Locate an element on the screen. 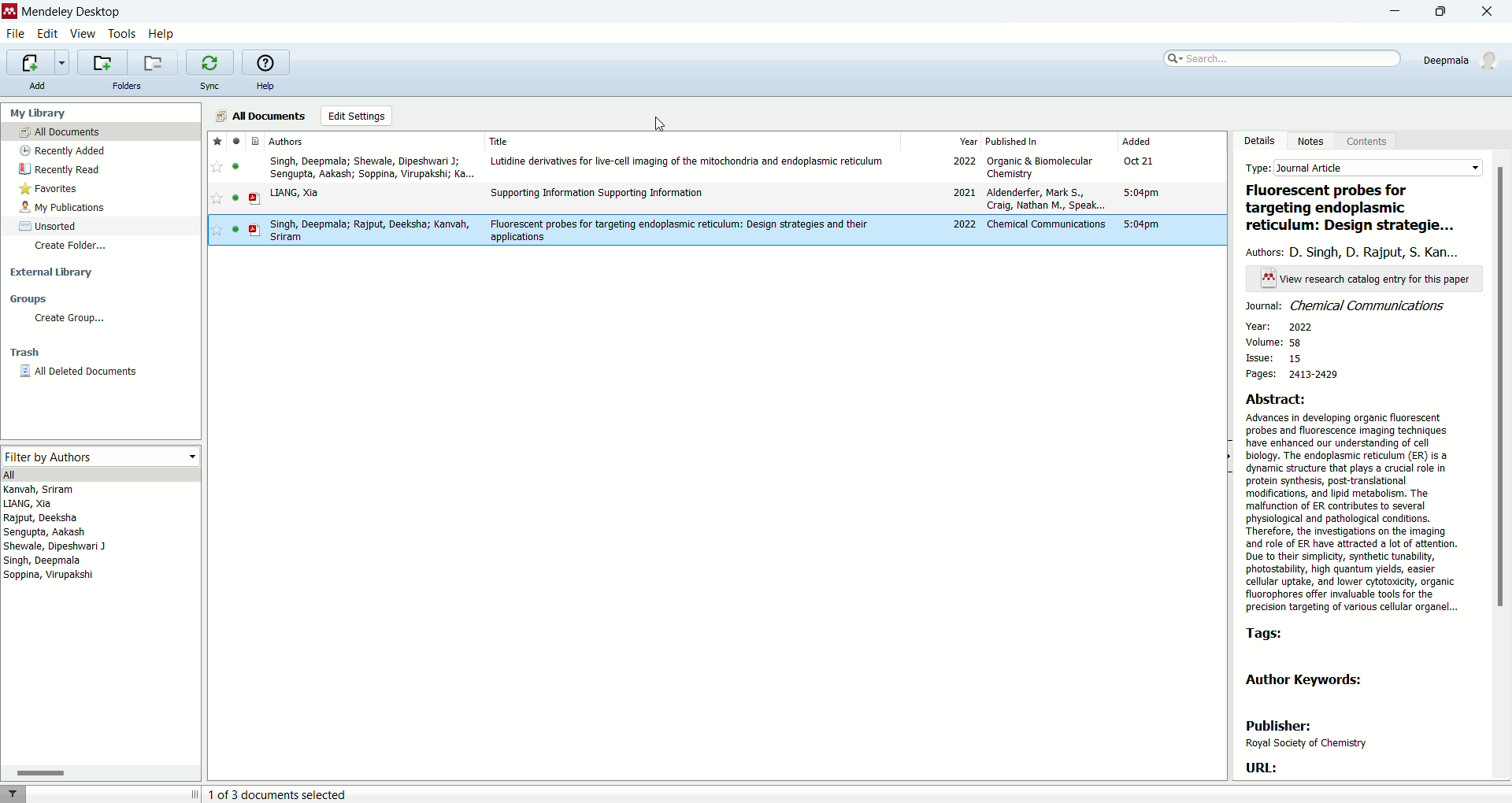 This screenshot has height=803, width=1512. read/unread is located at coordinates (232, 230).